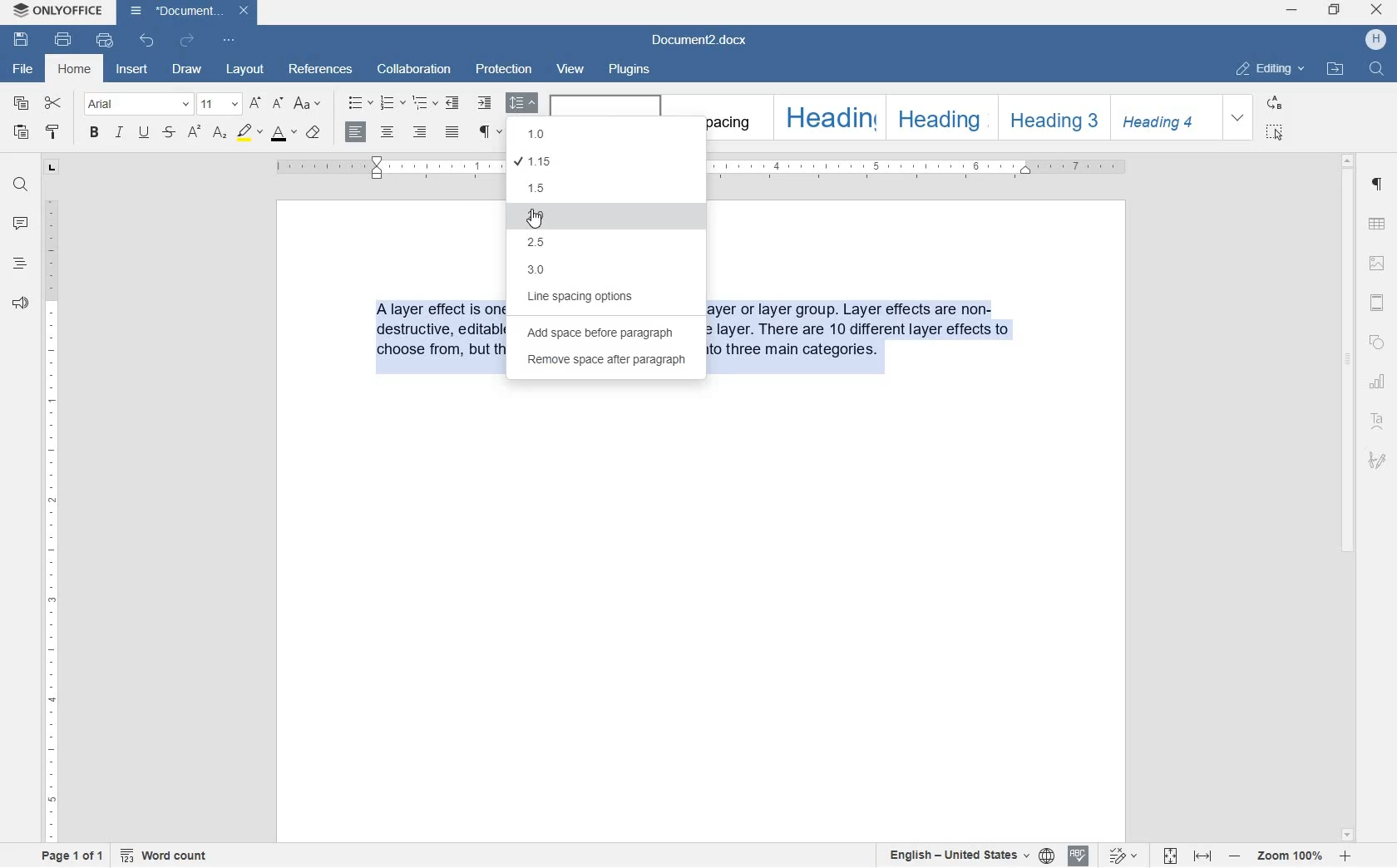 The height and width of the screenshot is (868, 1397). What do you see at coordinates (19, 303) in the screenshot?
I see `feedback & support` at bounding box center [19, 303].